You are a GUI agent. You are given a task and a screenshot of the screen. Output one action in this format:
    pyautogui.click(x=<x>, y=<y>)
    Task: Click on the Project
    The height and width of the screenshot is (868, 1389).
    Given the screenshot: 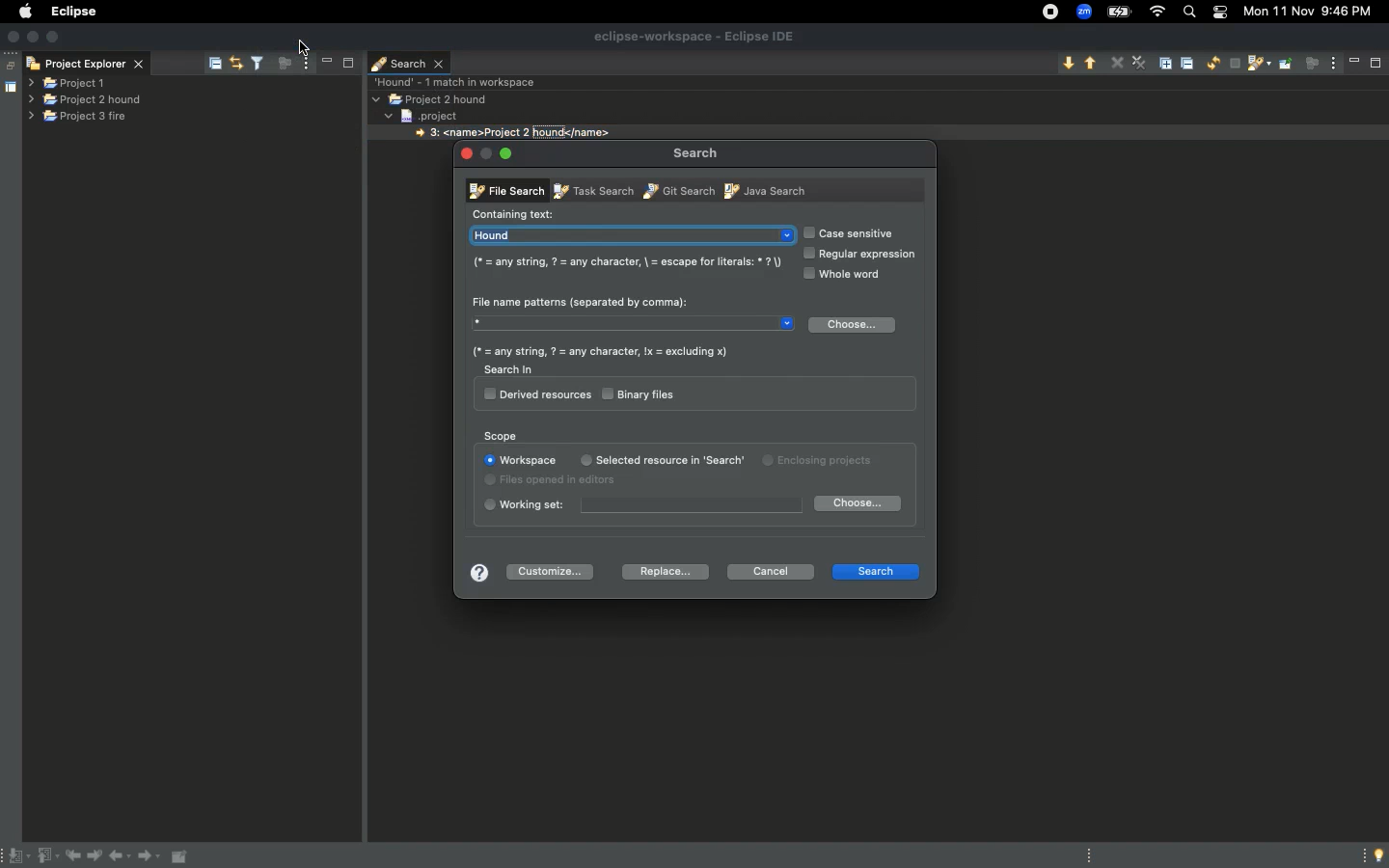 What is the action you would take?
    pyautogui.click(x=437, y=115)
    